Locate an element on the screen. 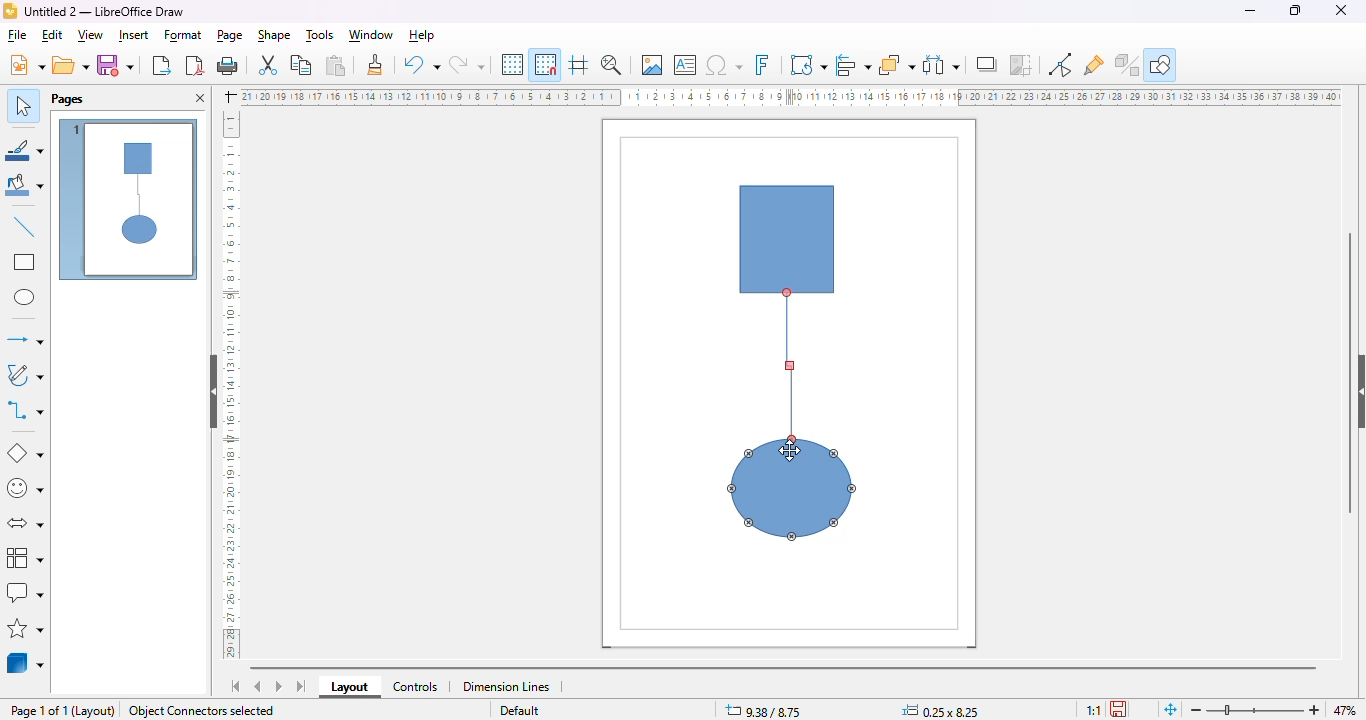  toggle extrusion is located at coordinates (1128, 65).